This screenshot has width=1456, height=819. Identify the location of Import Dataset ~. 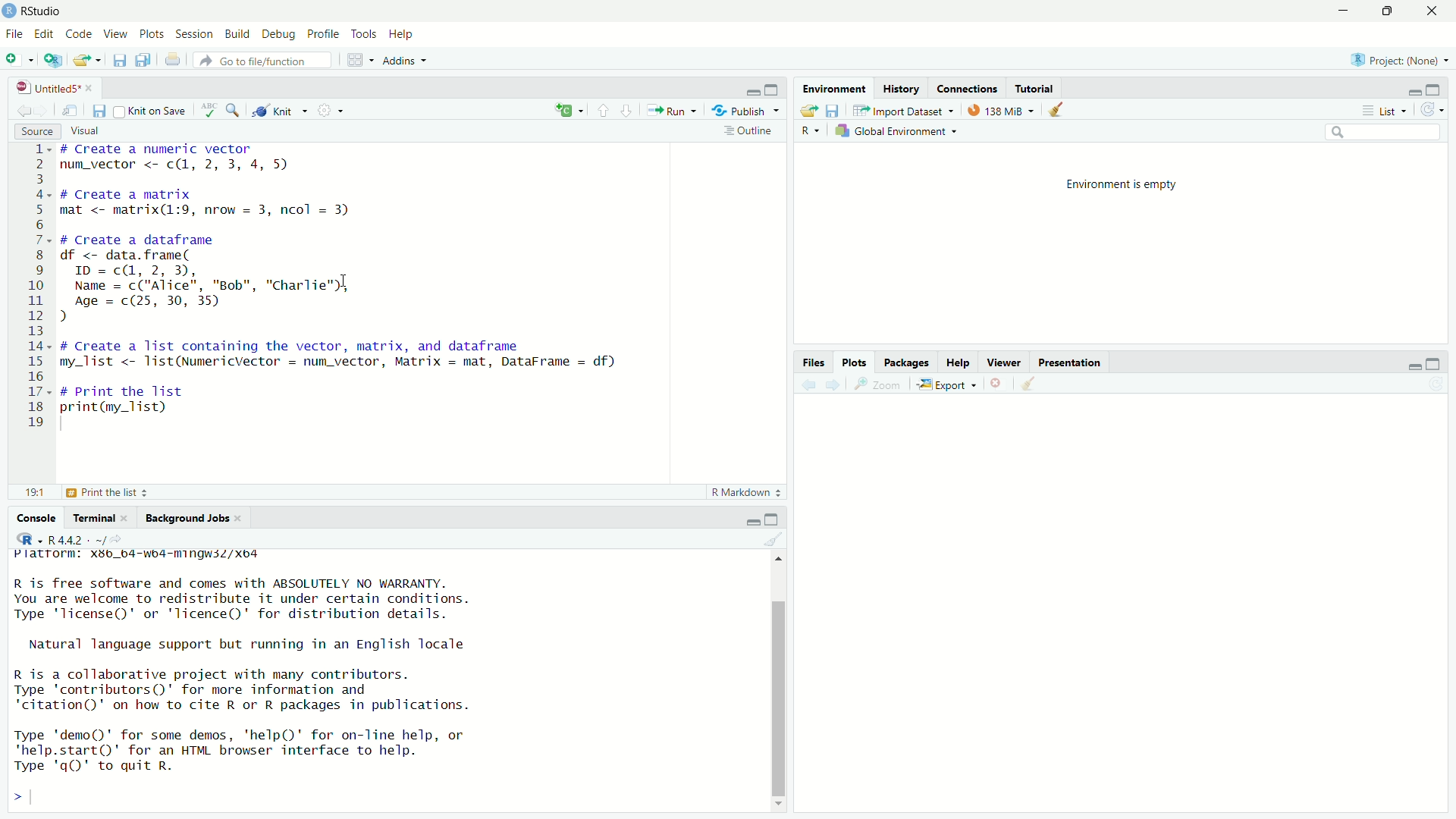
(903, 111).